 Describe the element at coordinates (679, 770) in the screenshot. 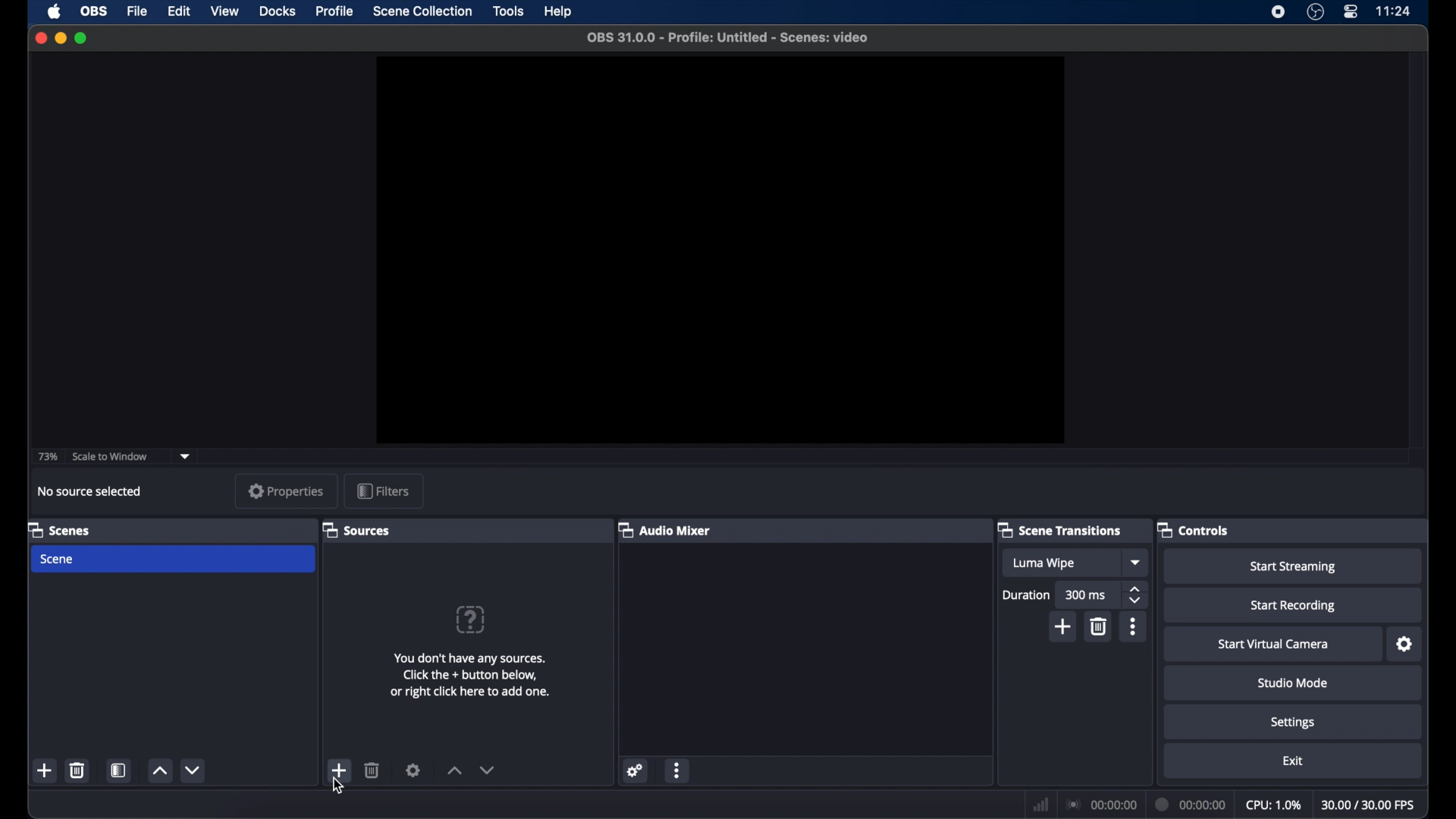

I see `more options` at that location.